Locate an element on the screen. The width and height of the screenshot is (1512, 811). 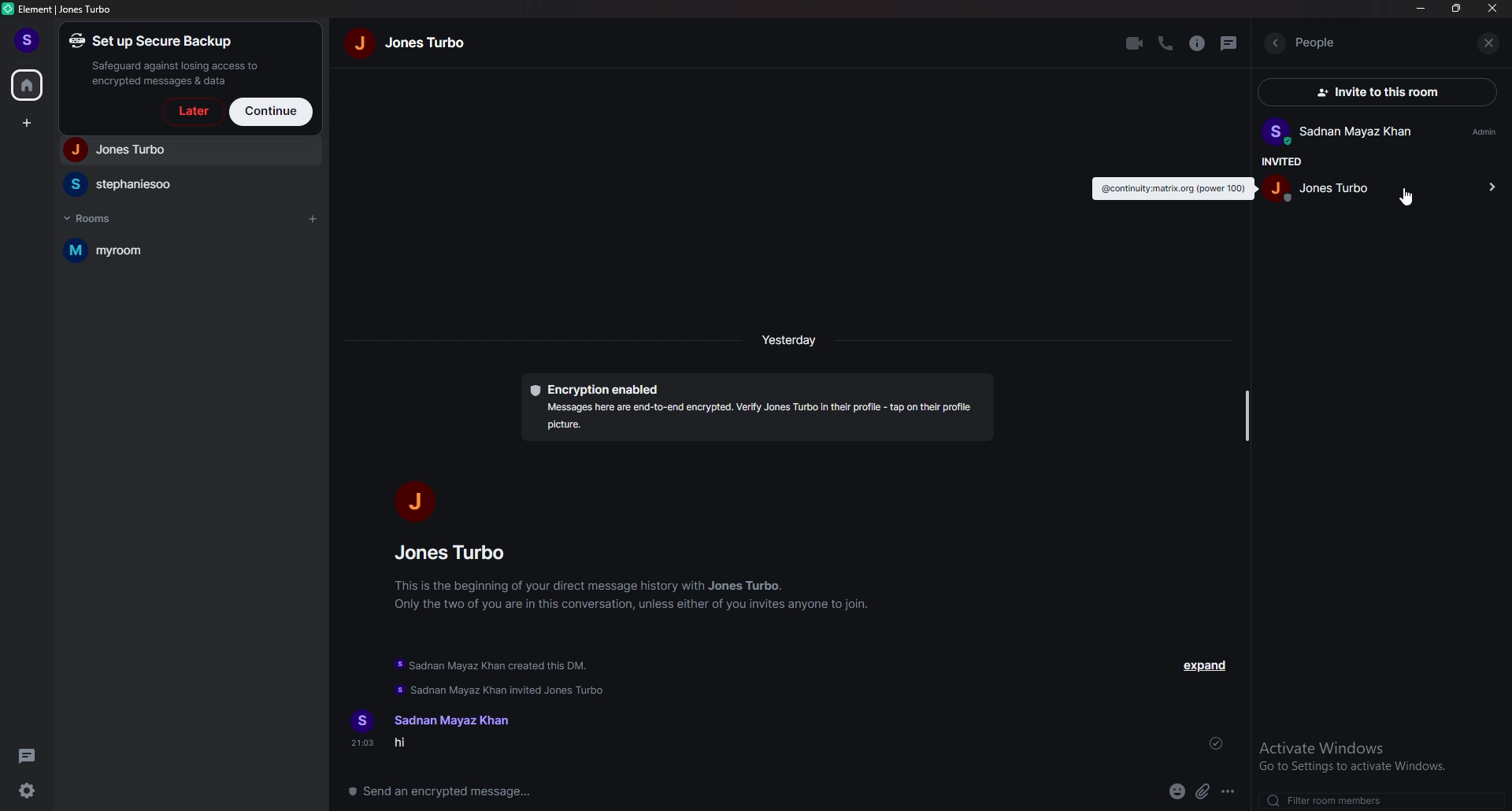
set up a secure backup is located at coordinates (169, 59).